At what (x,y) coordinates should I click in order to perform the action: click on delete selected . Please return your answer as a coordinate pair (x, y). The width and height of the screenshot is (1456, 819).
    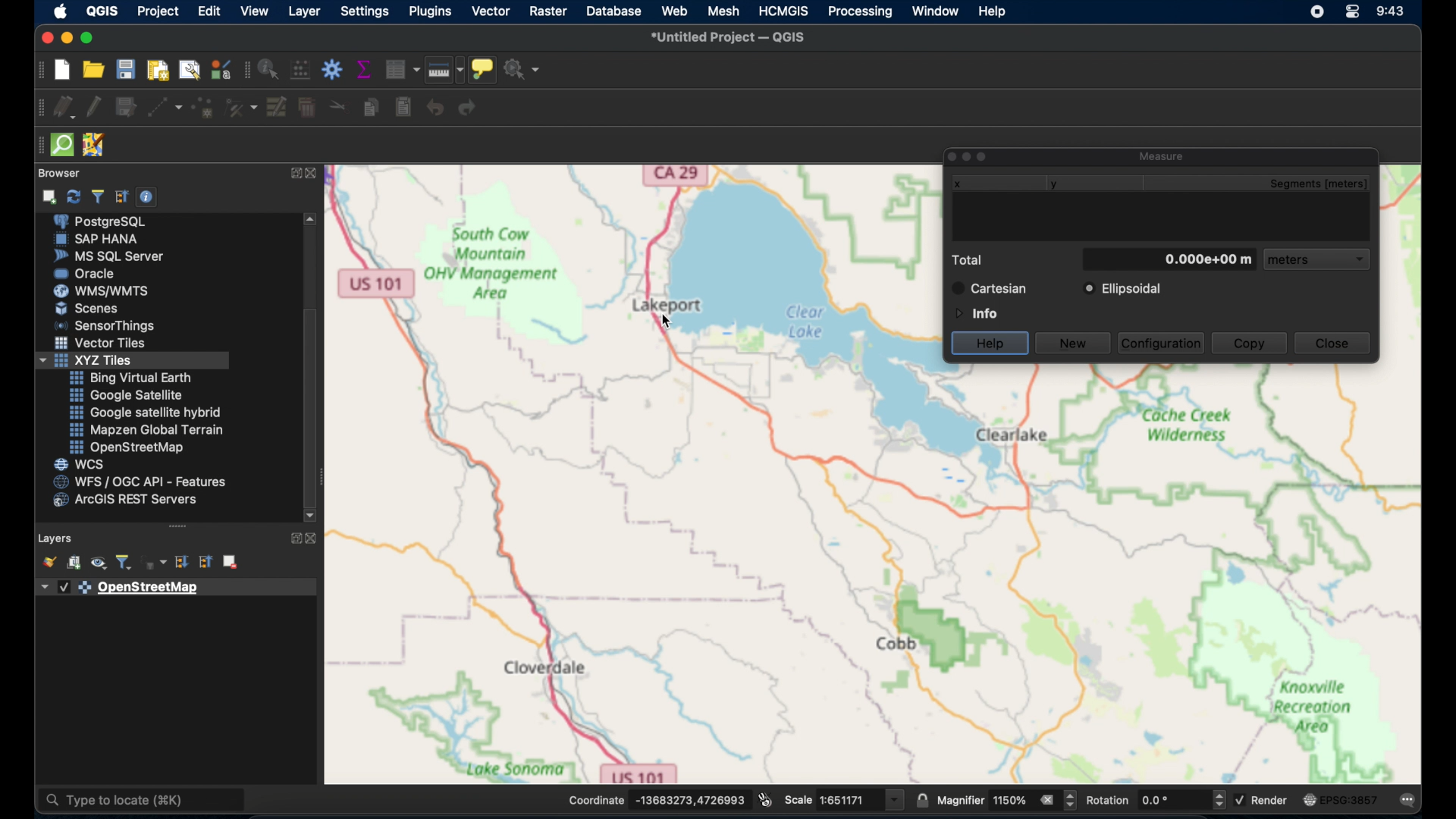
    Looking at the image, I should click on (306, 108).